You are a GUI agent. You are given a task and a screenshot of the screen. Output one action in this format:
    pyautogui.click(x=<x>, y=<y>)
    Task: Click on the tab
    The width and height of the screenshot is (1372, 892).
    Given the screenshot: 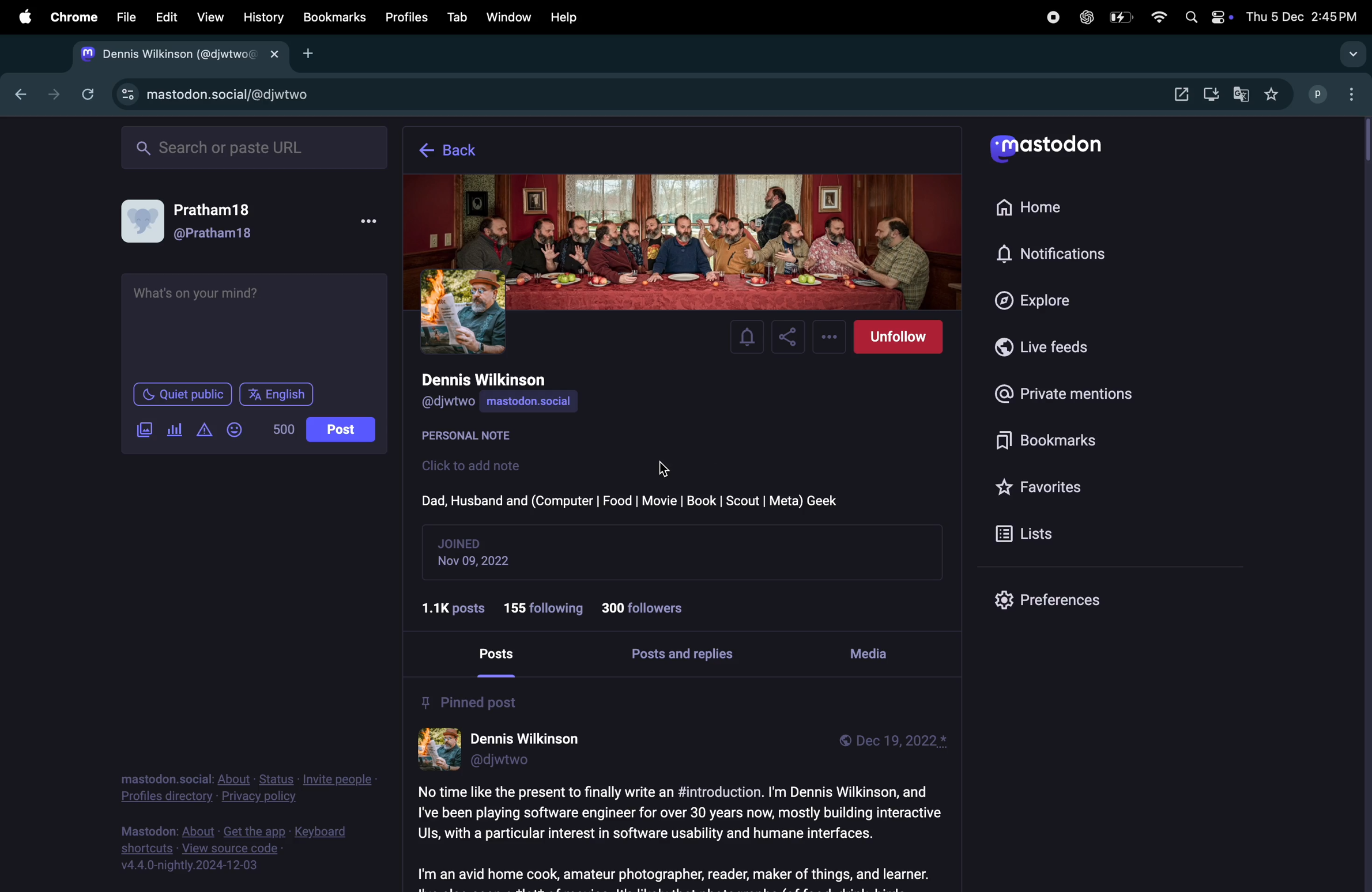 What is the action you would take?
    pyautogui.click(x=457, y=16)
    